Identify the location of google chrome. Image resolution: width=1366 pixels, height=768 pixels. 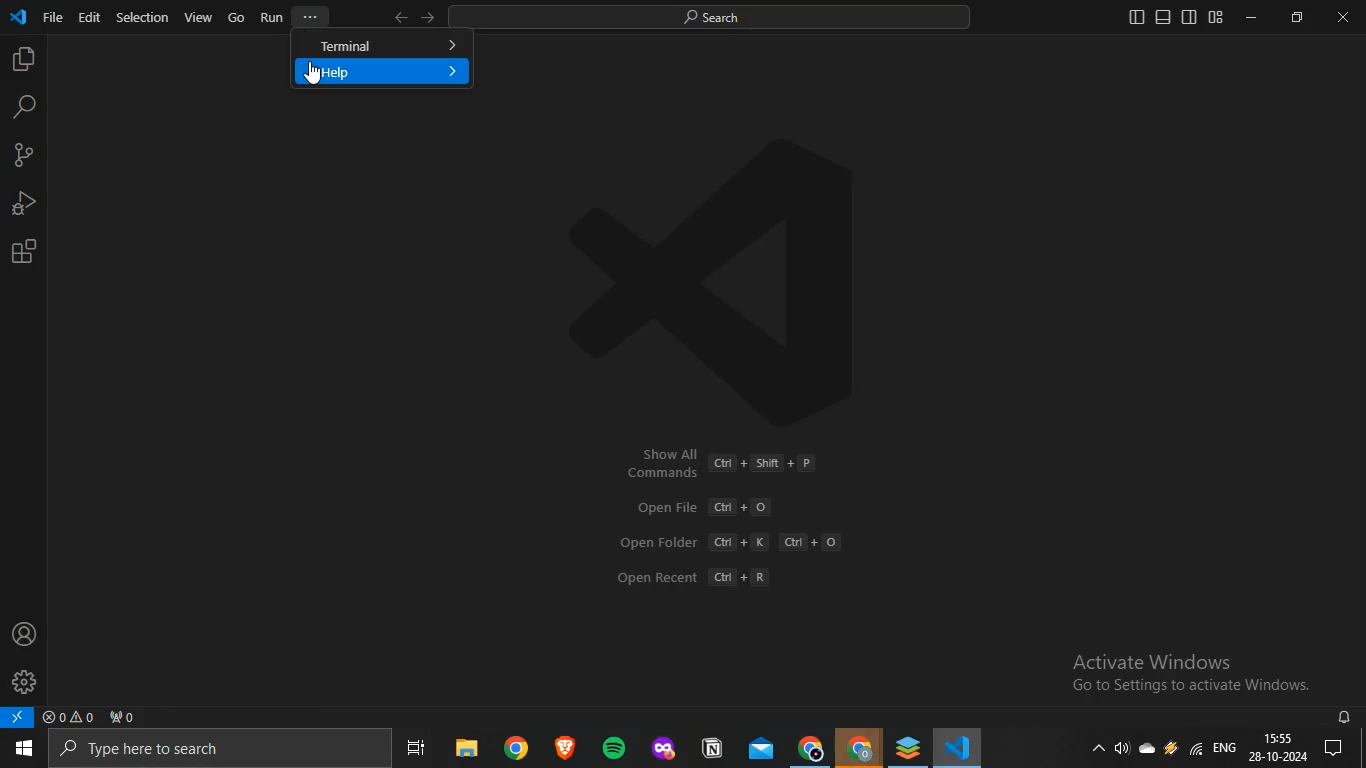
(810, 748).